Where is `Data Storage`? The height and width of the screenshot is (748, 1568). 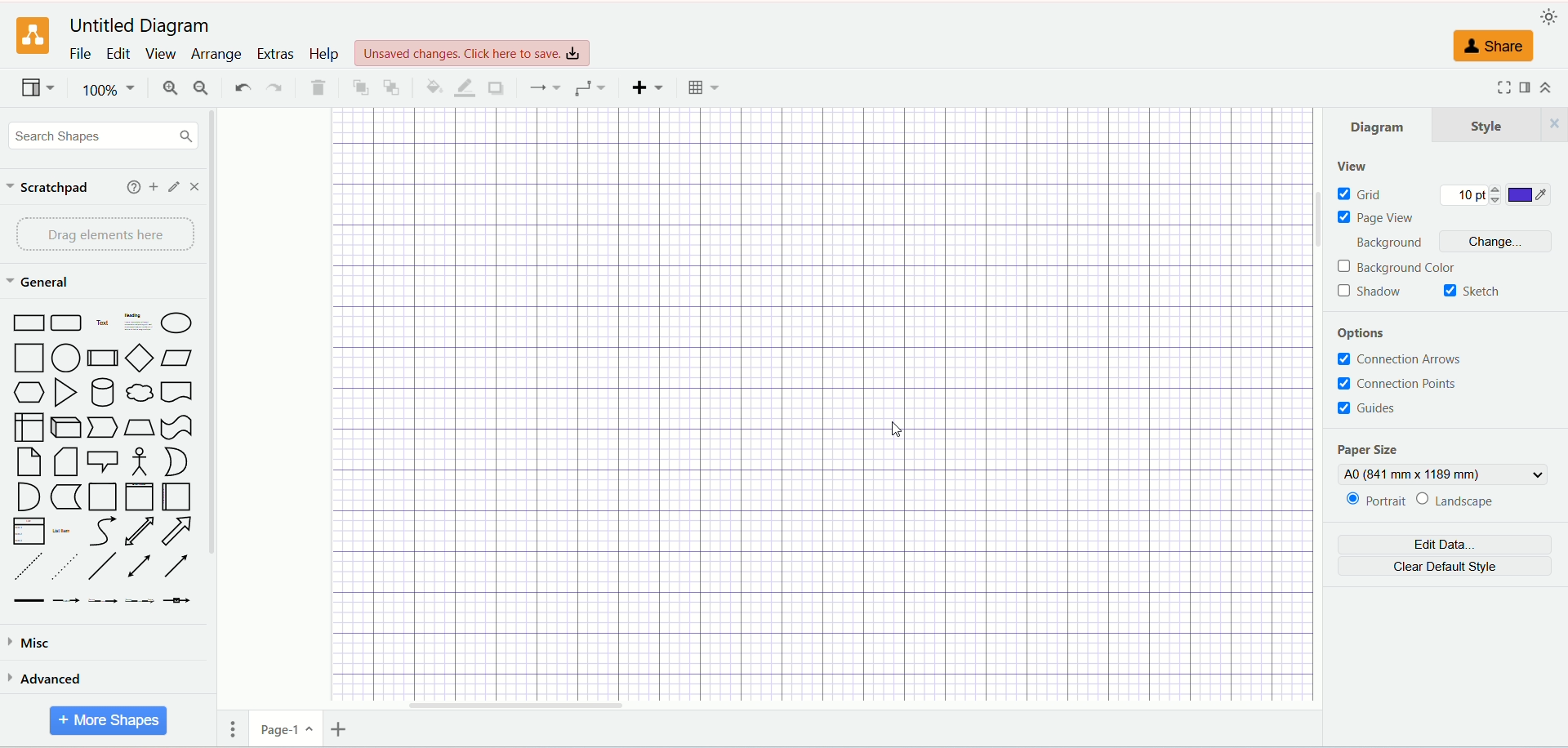
Data Storage is located at coordinates (65, 498).